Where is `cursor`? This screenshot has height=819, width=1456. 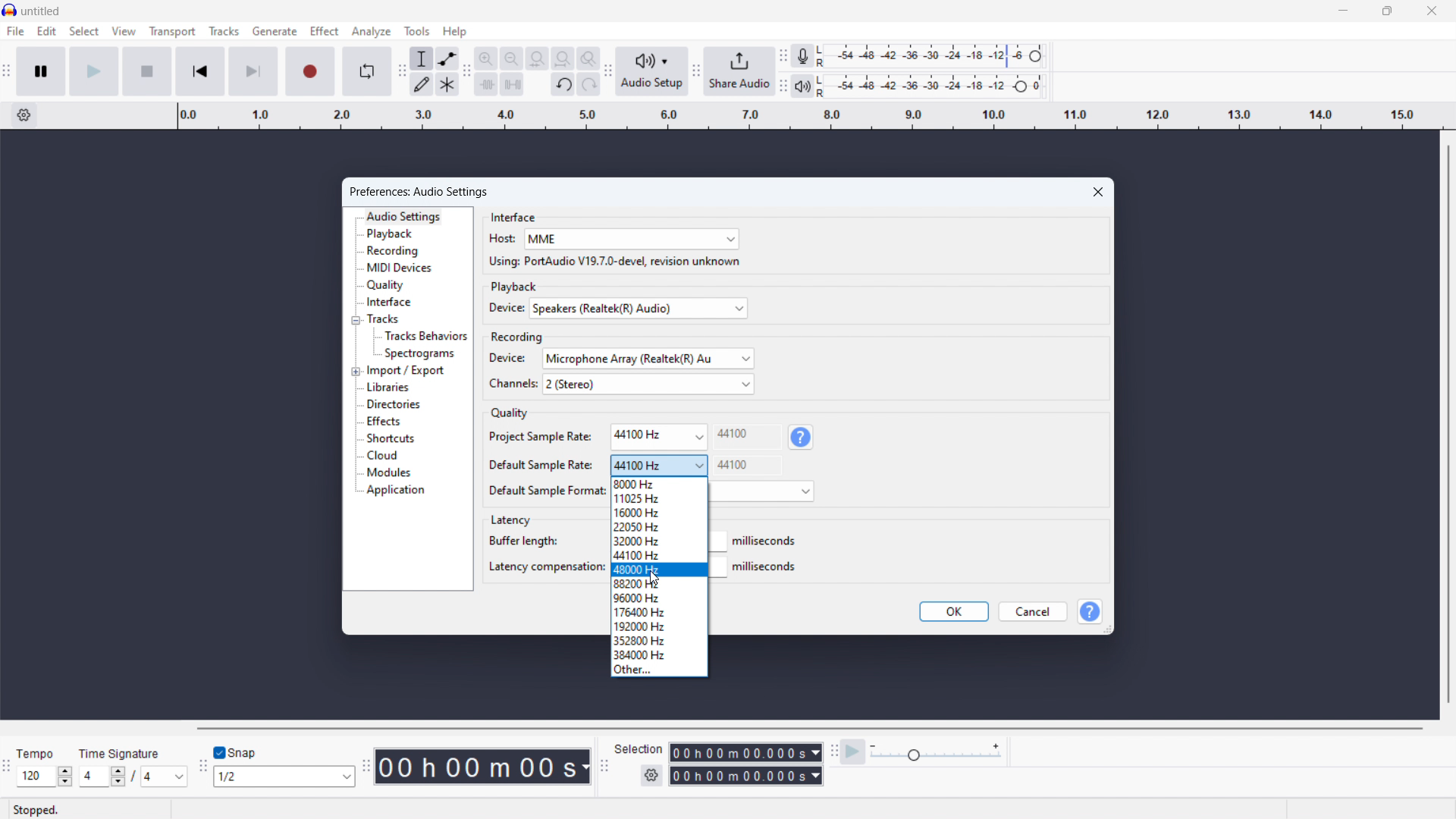
cursor is located at coordinates (654, 578).